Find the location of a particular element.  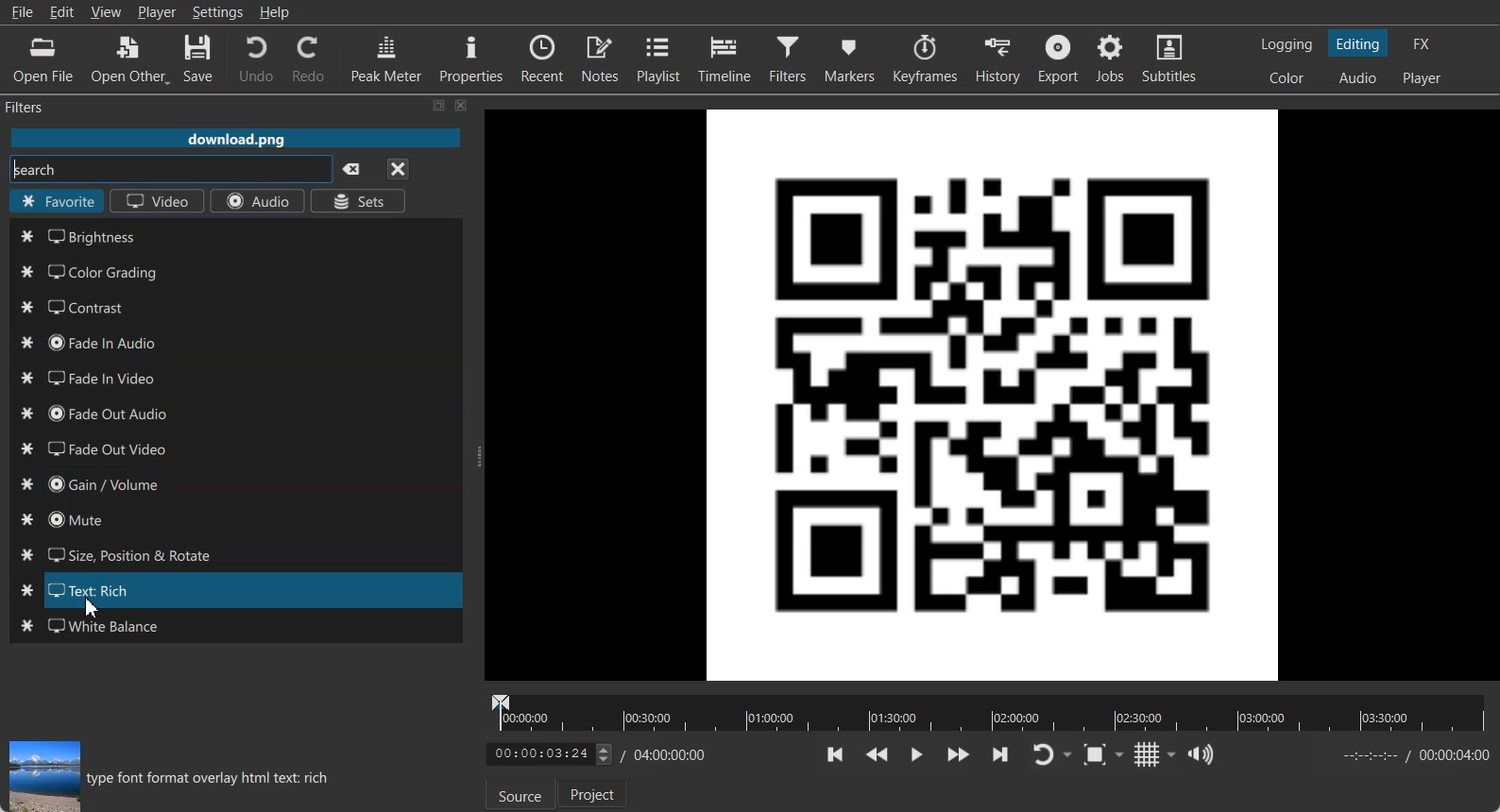

Search bar is located at coordinates (166, 172).